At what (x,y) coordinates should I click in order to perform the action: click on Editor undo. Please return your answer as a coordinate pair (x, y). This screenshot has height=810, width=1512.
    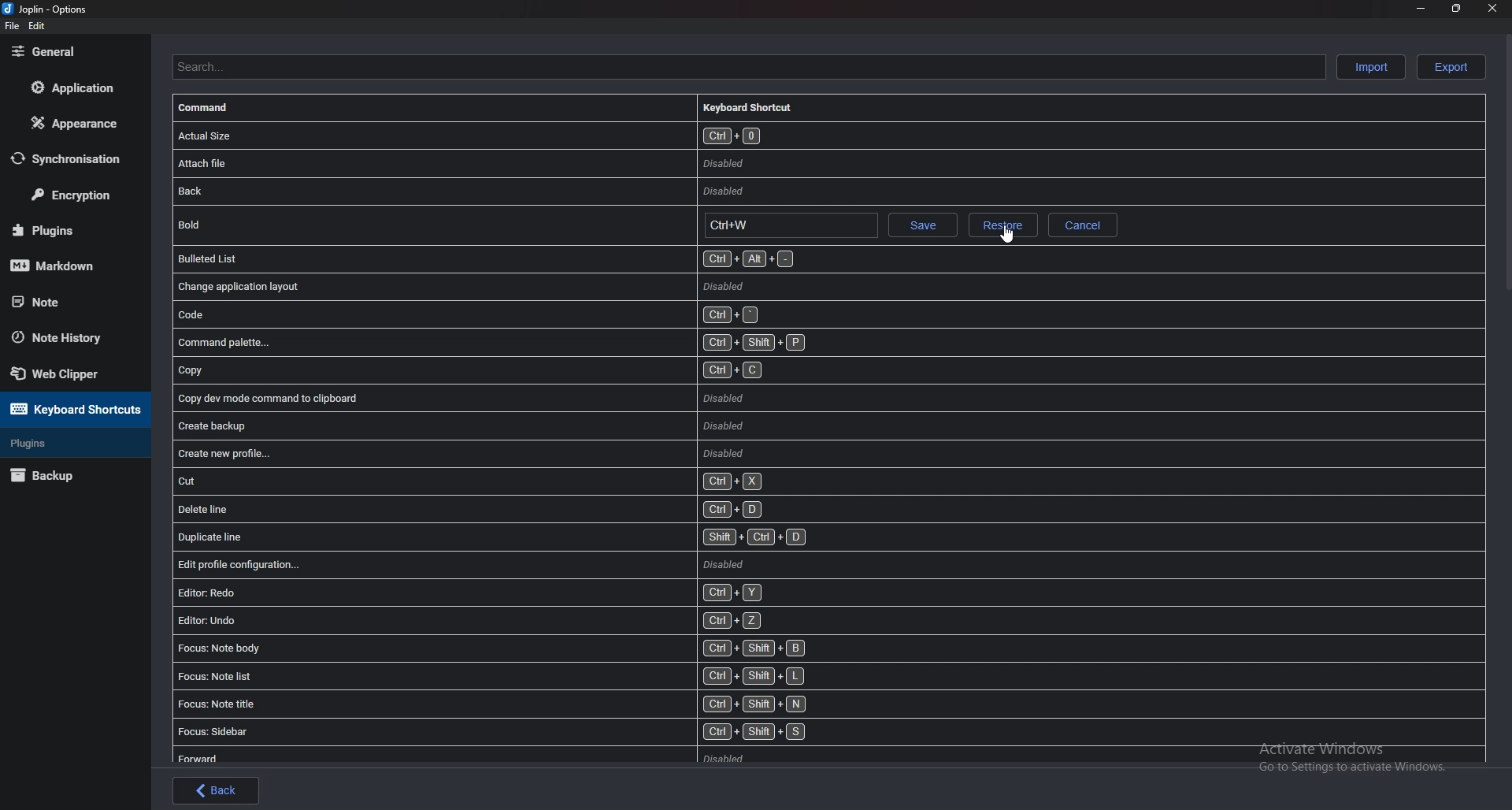
    Looking at the image, I should click on (474, 620).